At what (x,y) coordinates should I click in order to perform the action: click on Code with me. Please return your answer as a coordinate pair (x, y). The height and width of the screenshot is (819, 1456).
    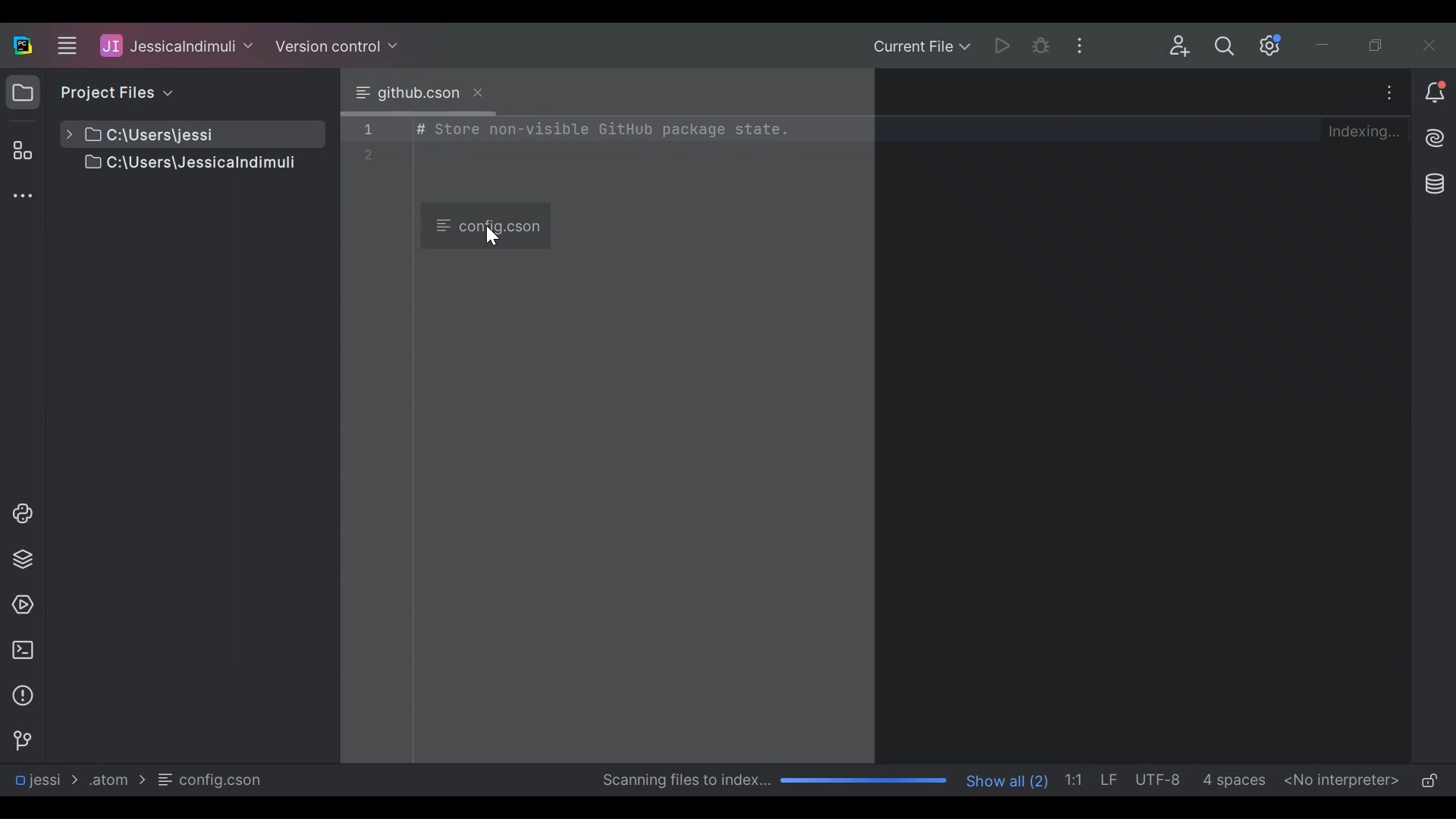
    Looking at the image, I should click on (1180, 47).